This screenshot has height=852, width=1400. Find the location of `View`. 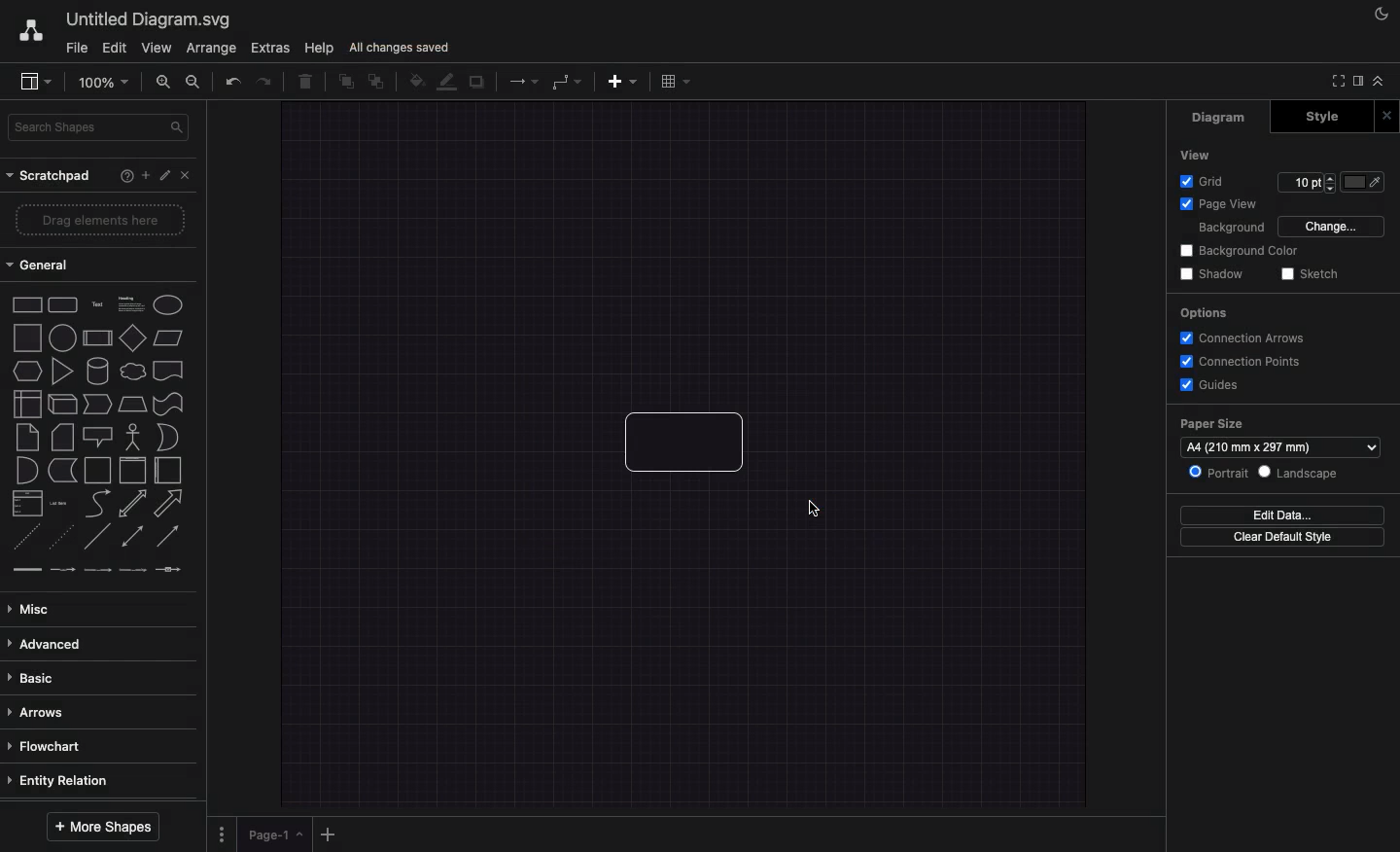

View is located at coordinates (157, 49).